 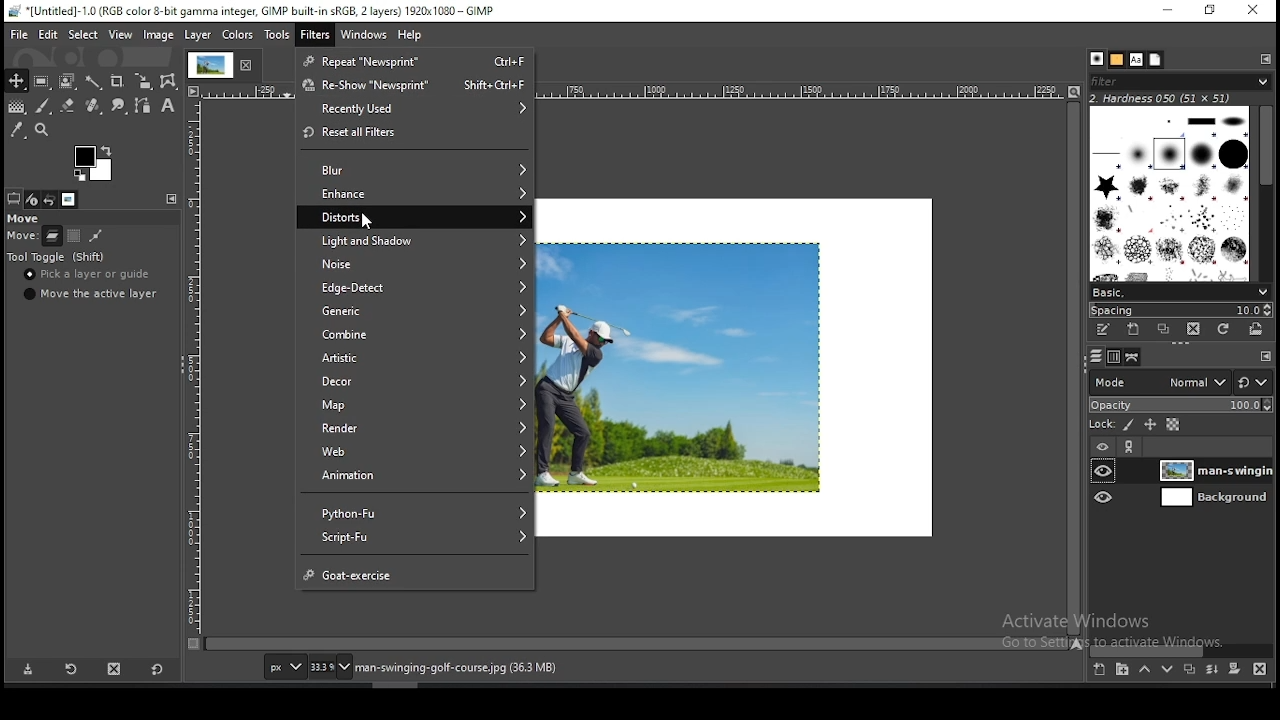 I want to click on filter brushes, so click(x=1179, y=82).